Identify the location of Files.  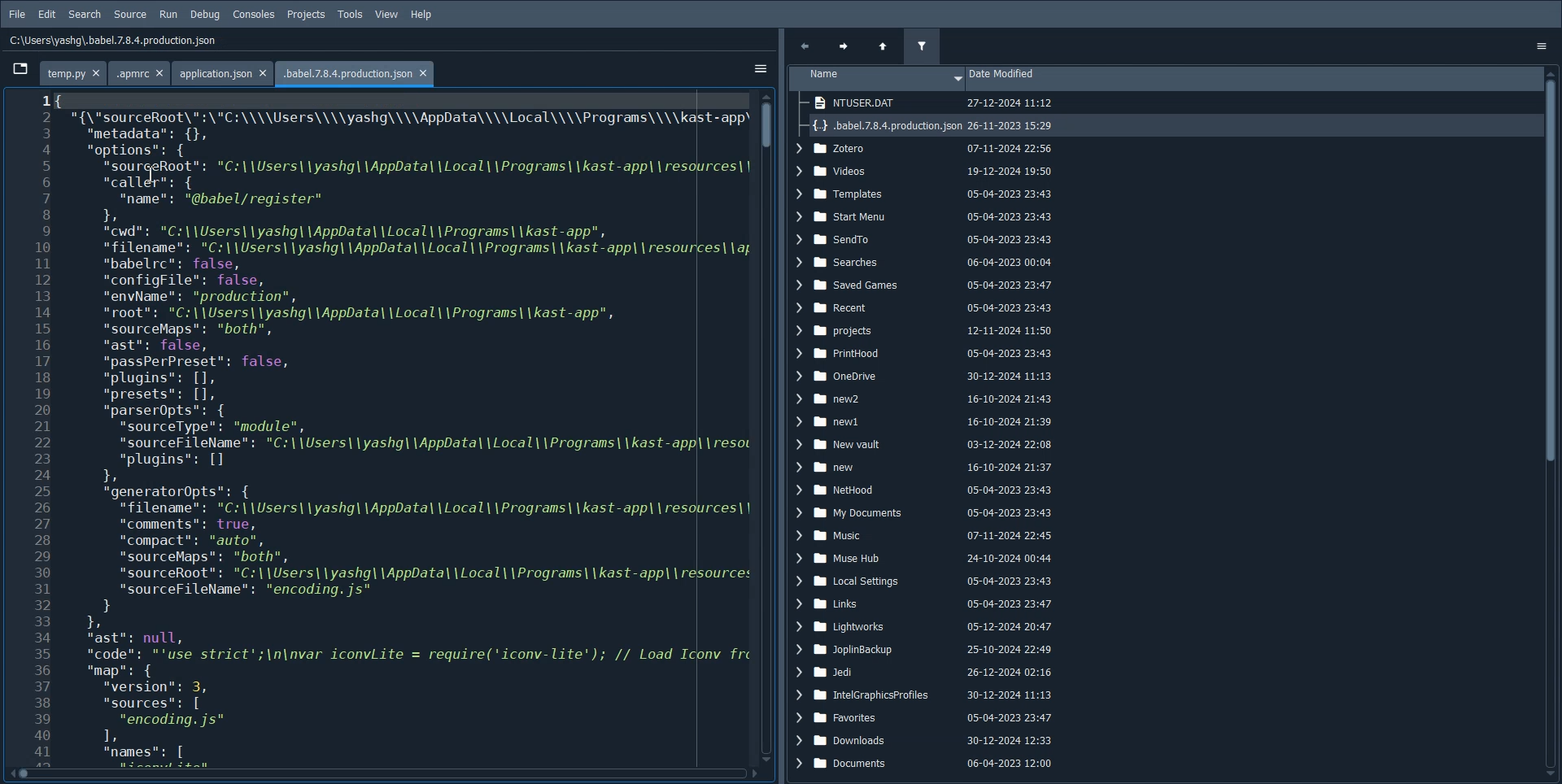
(933, 462).